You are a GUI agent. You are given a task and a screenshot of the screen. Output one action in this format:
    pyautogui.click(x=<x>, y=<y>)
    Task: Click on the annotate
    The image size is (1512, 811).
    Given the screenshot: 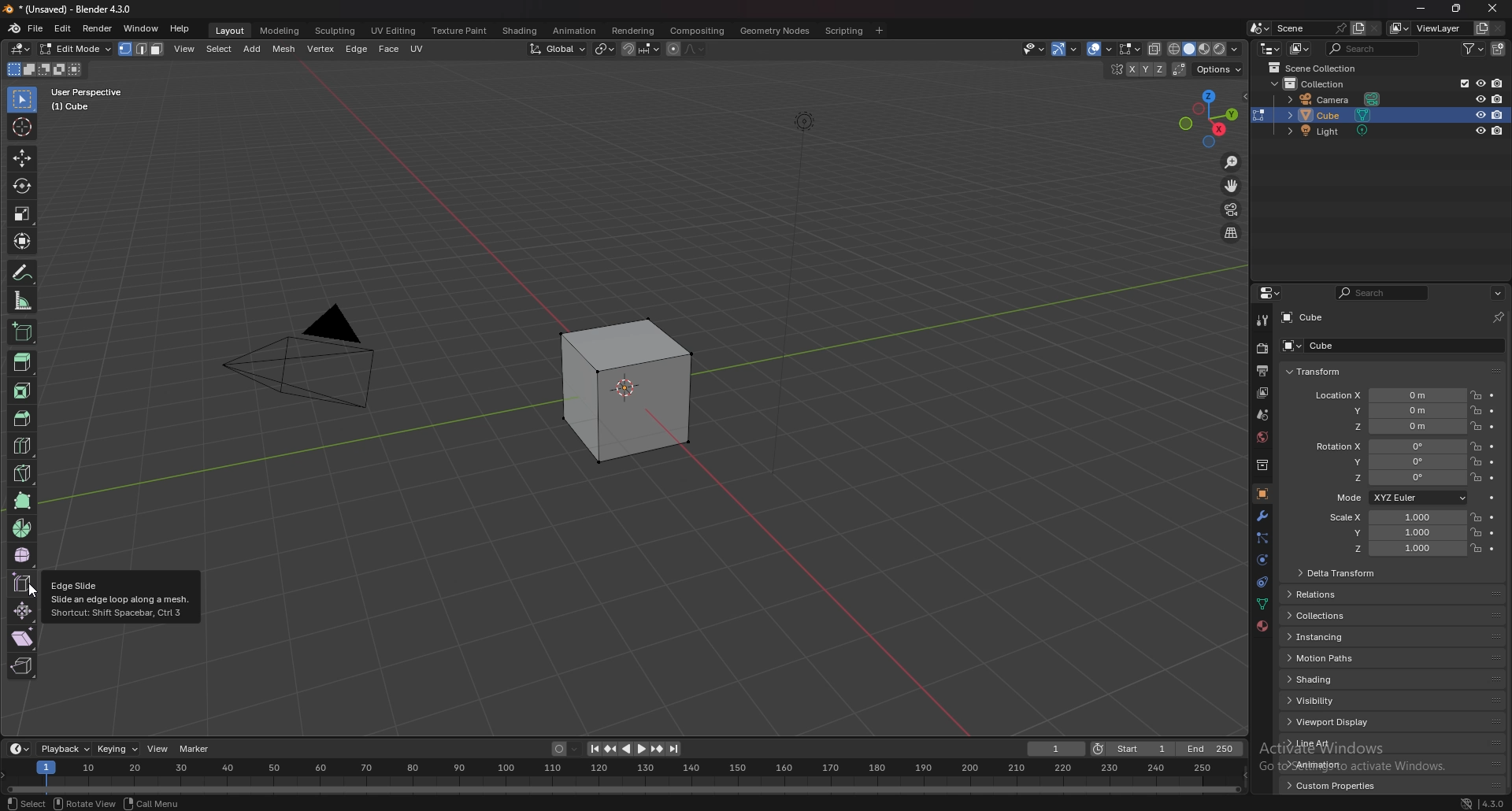 What is the action you would take?
    pyautogui.click(x=22, y=272)
    